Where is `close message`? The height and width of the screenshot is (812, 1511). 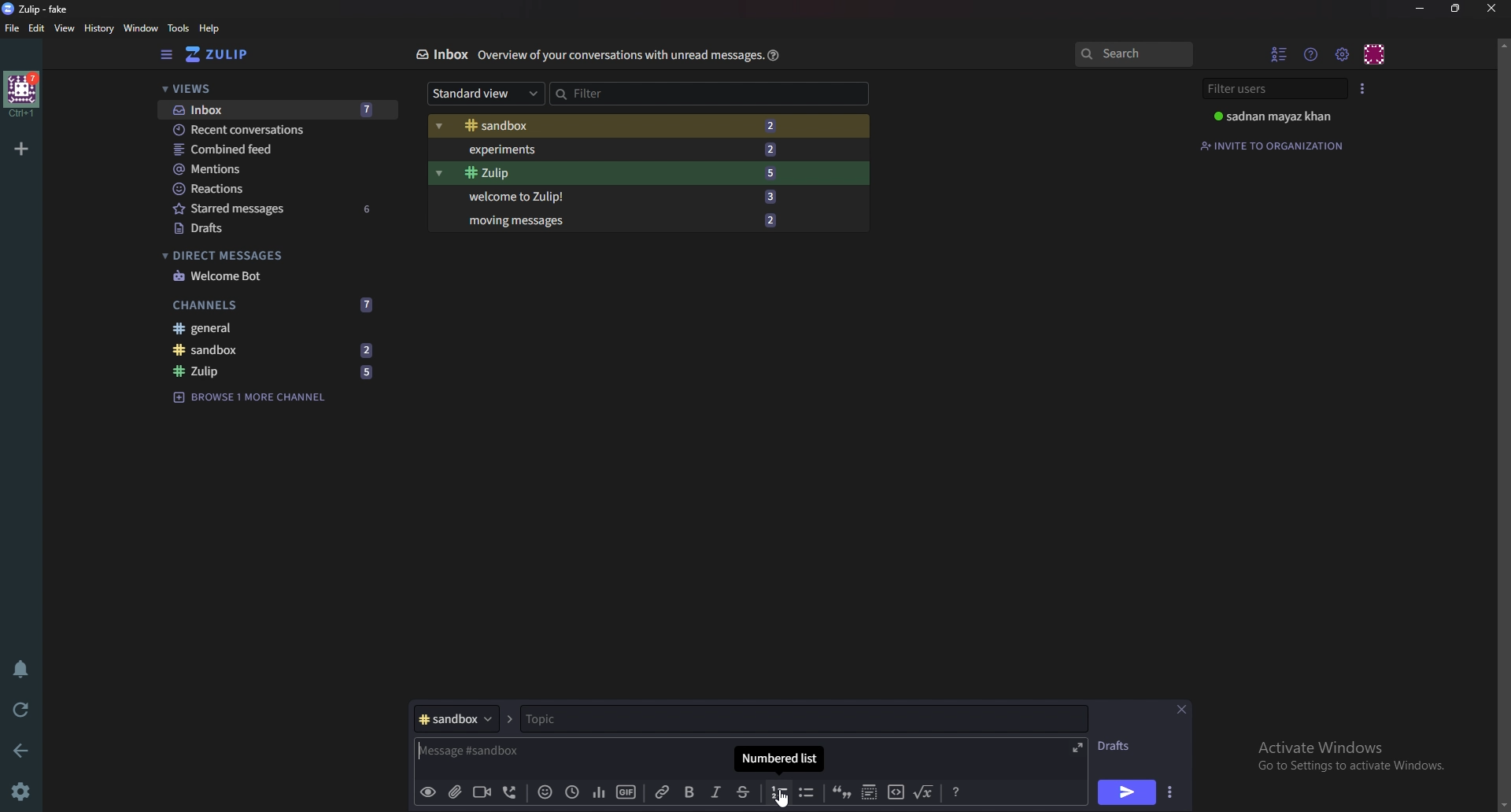 close message is located at coordinates (1182, 709).